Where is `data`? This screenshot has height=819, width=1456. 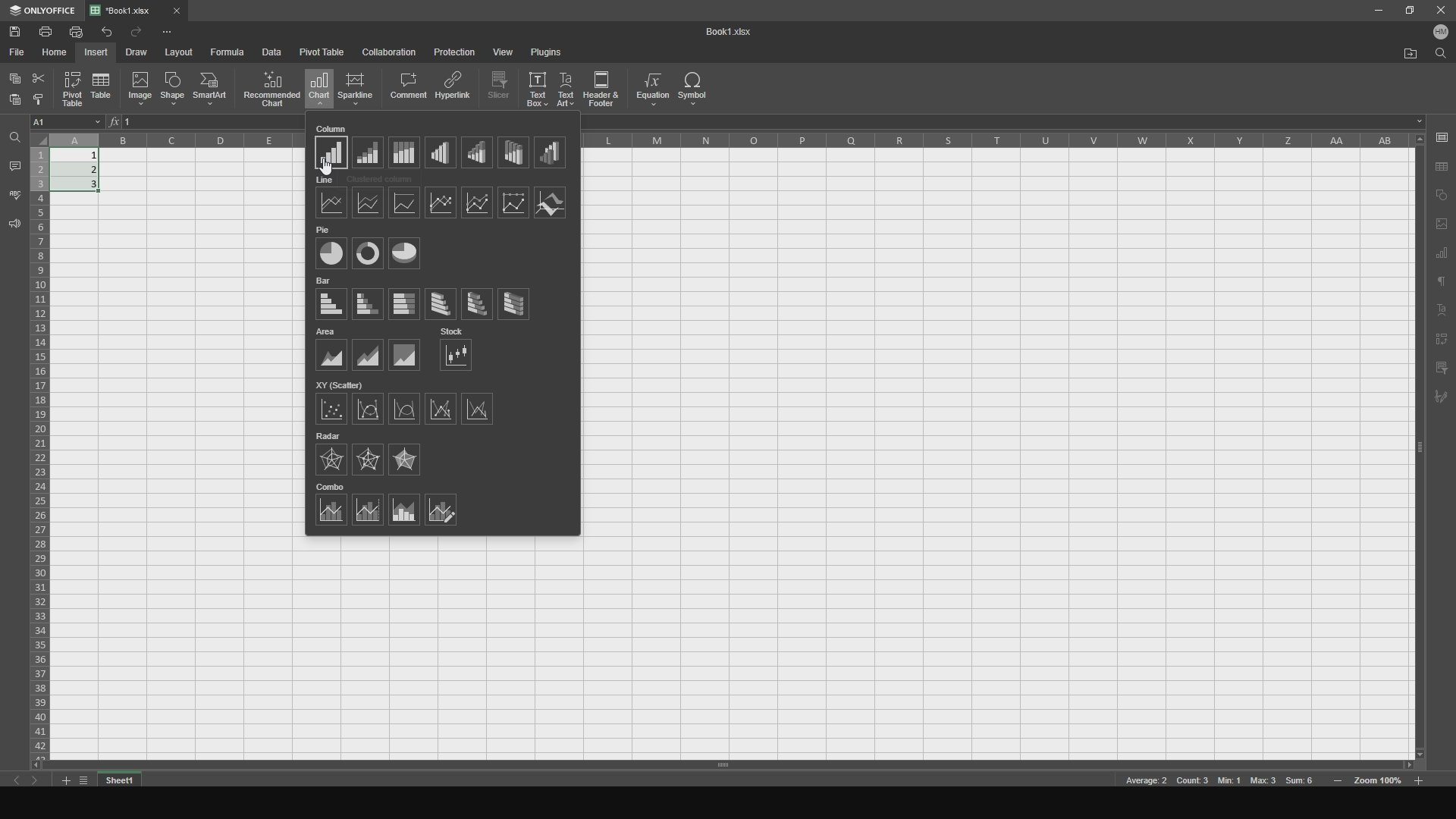 data is located at coordinates (277, 52).